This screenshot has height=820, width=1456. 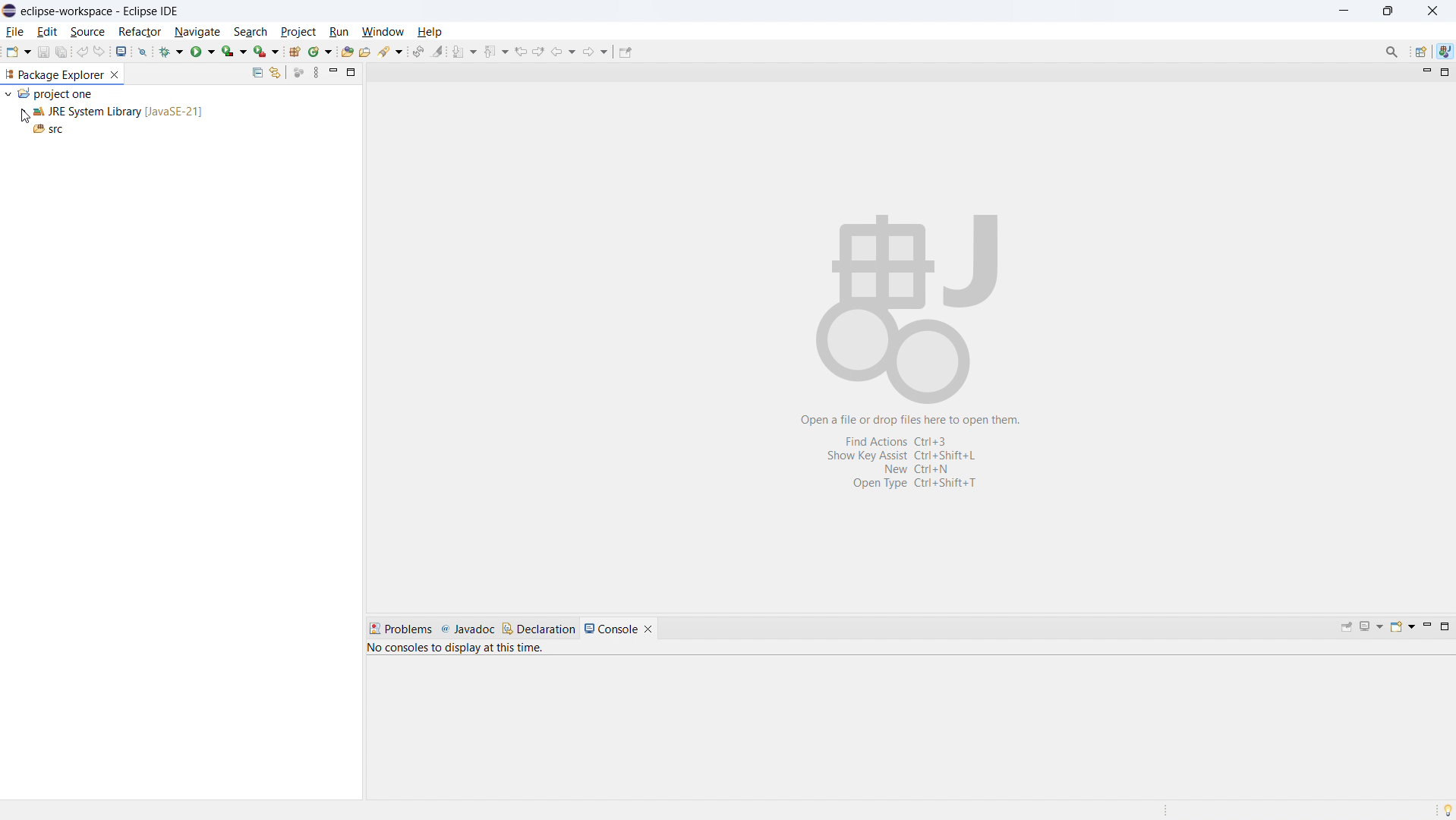 I want to click on display selected console, so click(x=1371, y=627).